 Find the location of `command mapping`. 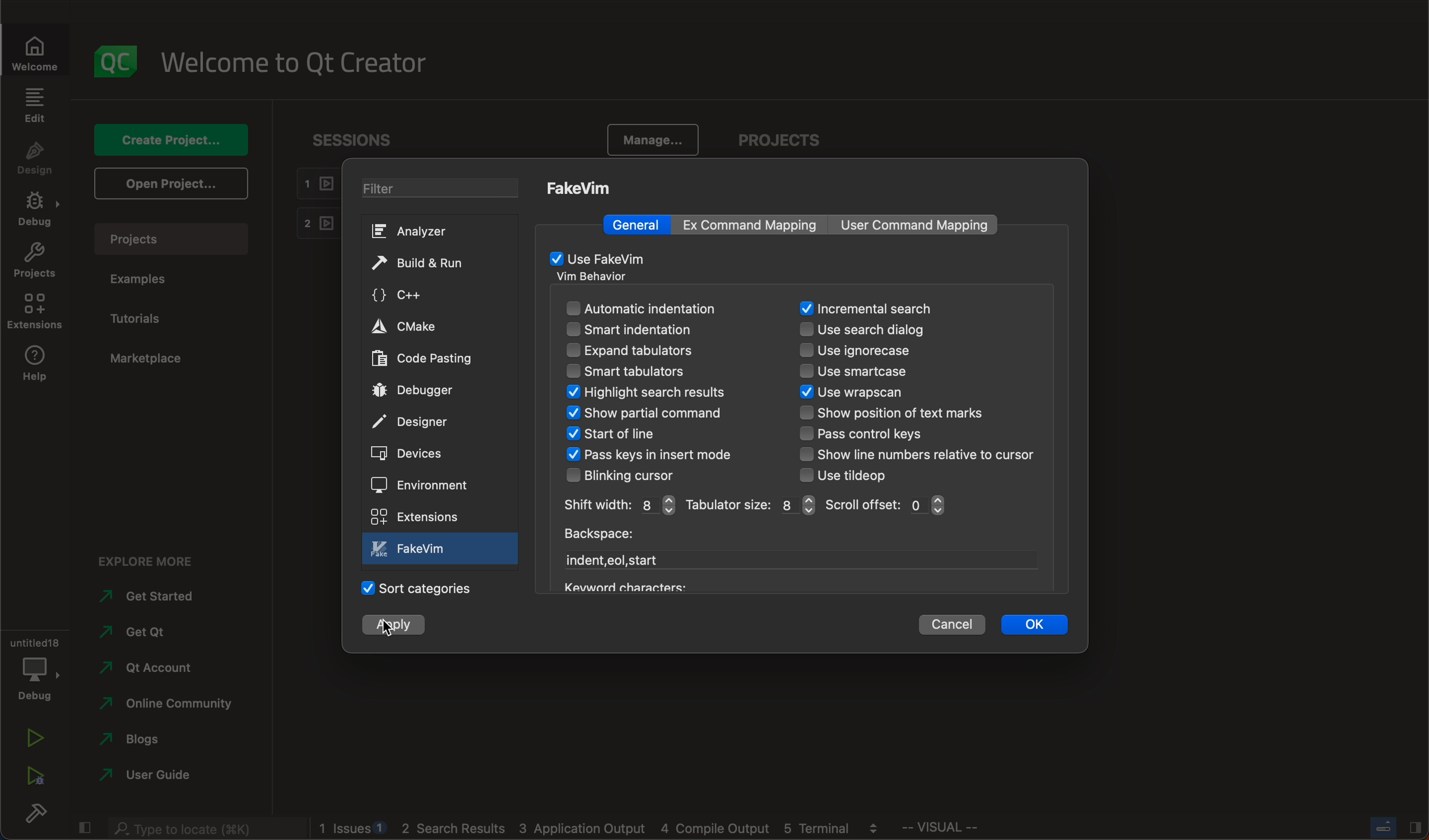

command mapping is located at coordinates (917, 226).